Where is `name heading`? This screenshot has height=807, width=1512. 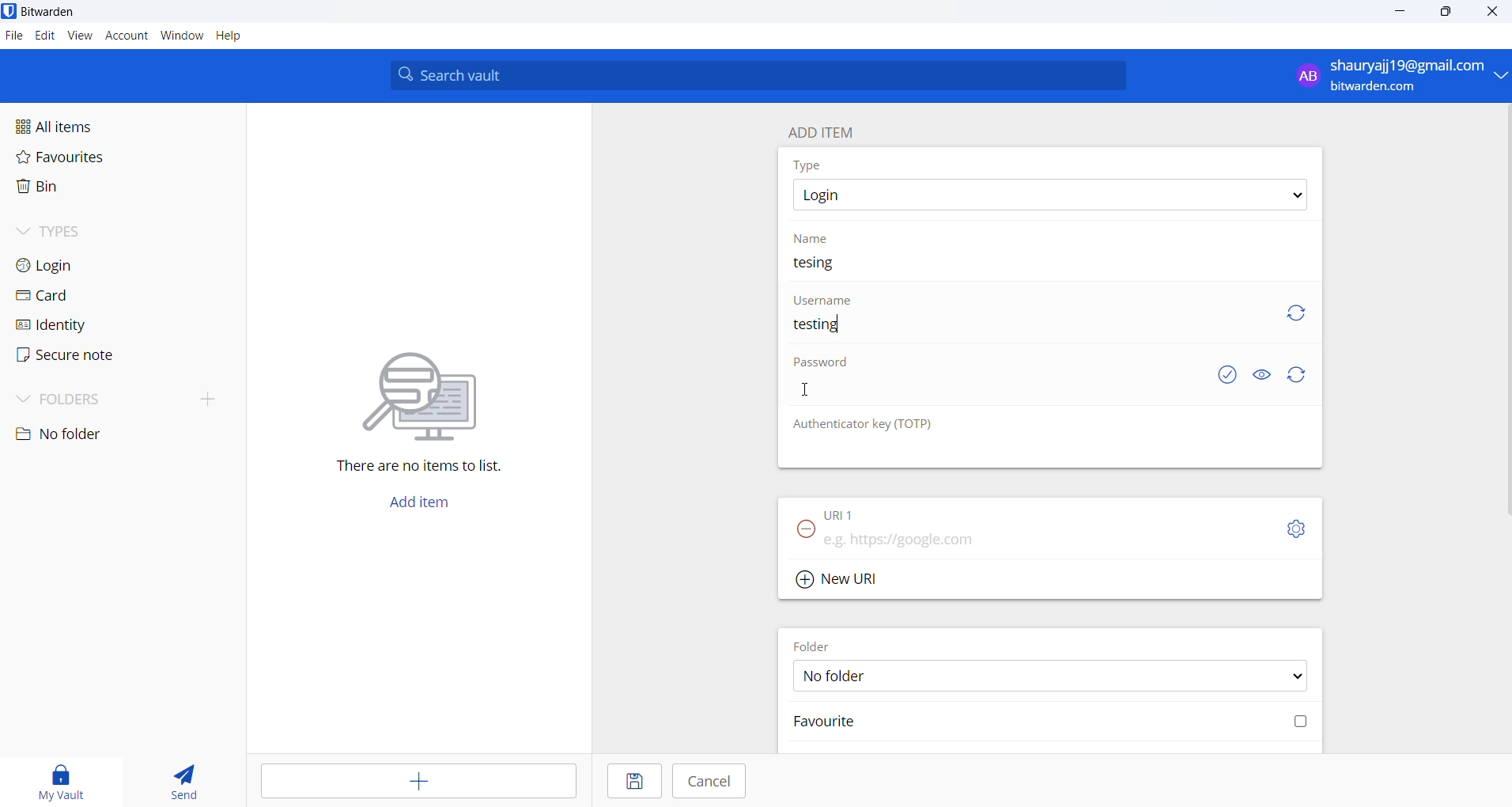 name heading is located at coordinates (811, 240).